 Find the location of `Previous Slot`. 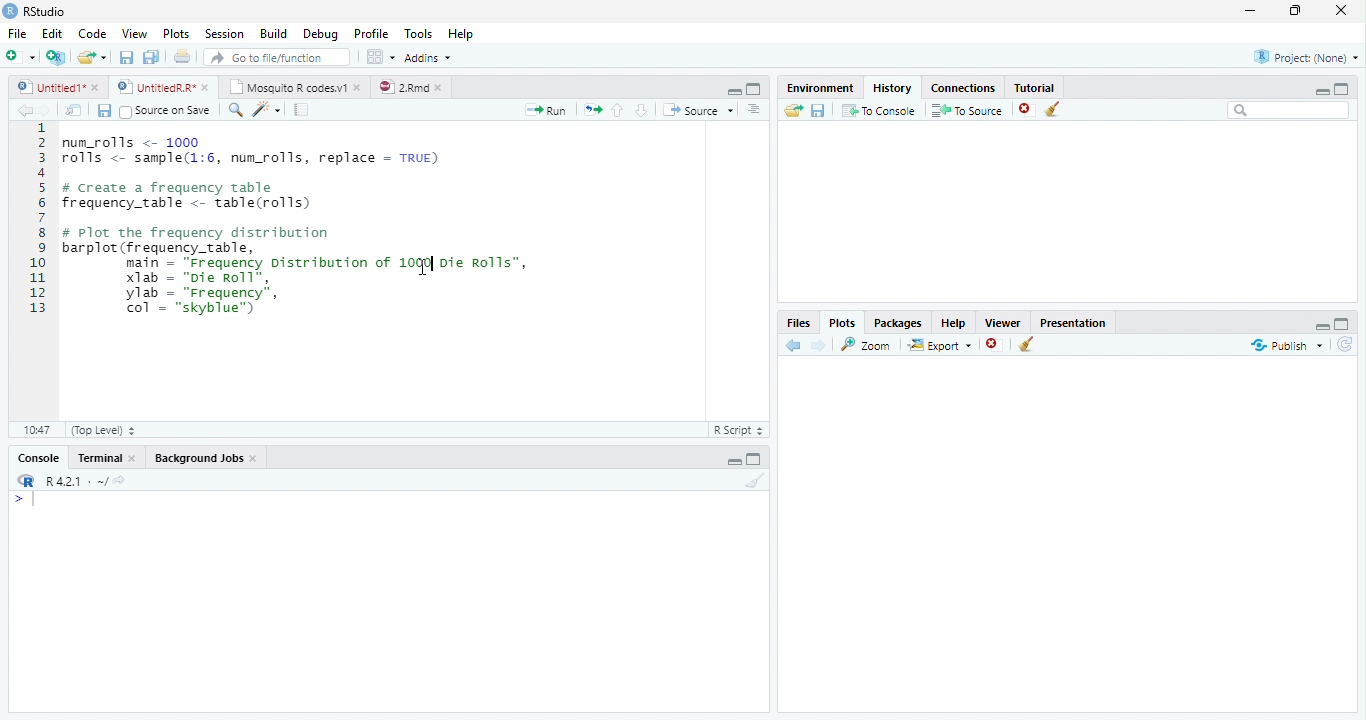

Previous Slot is located at coordinates (794, 346).